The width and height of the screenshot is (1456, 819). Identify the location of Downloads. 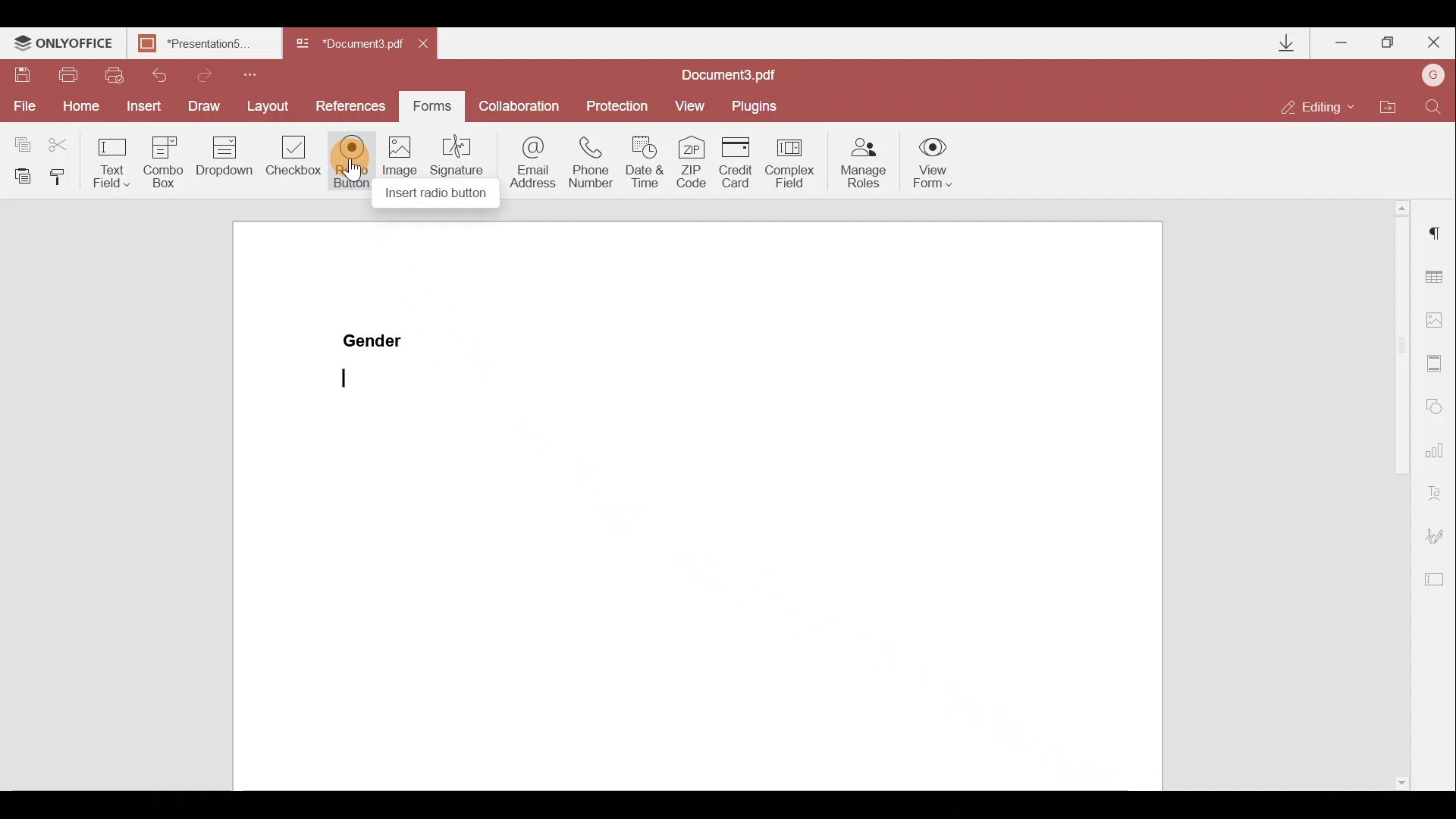
(1278, 41).